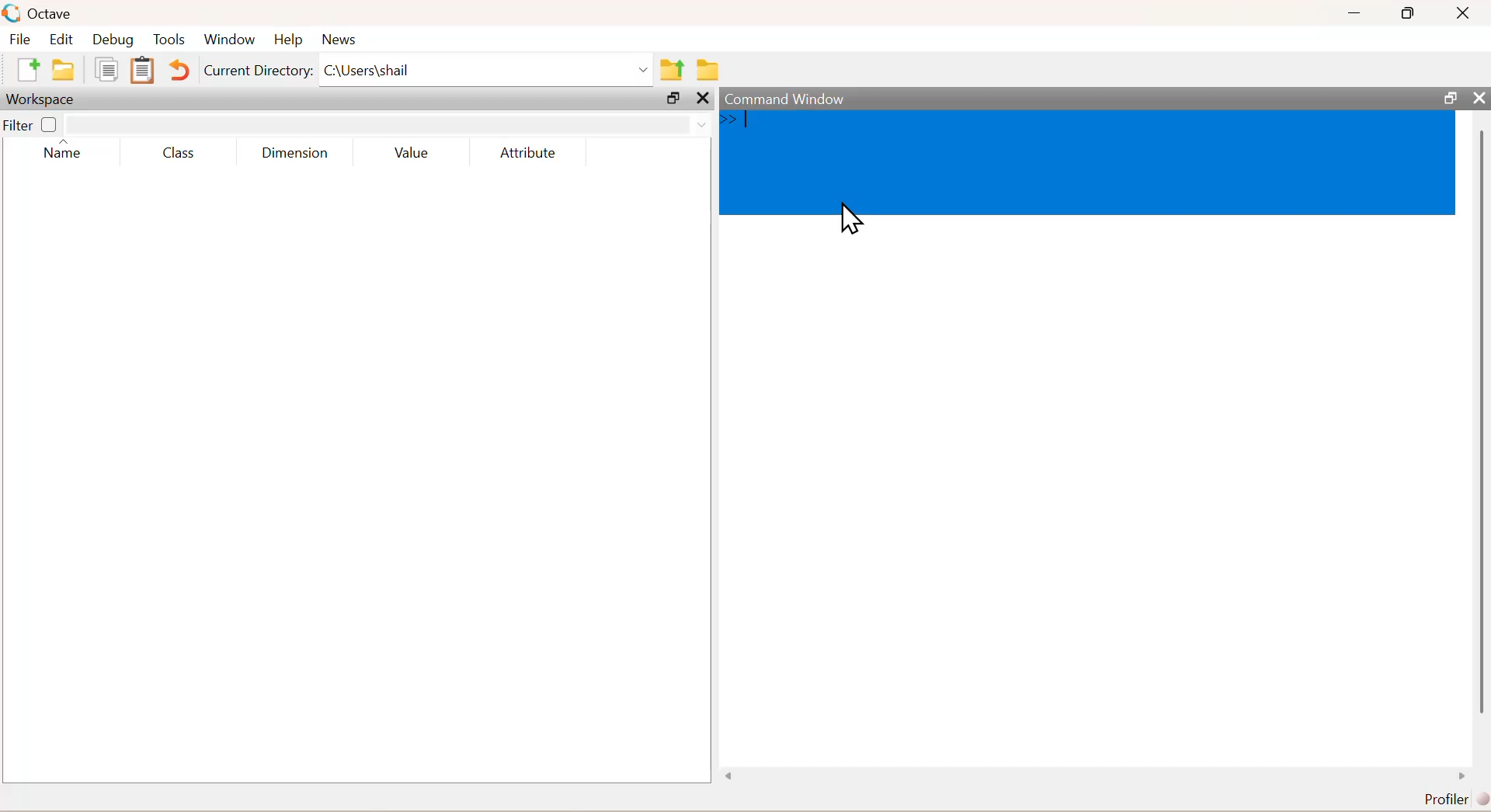 This screenshot has height=812, width=1491. I want to click on name, so click(63, 152).